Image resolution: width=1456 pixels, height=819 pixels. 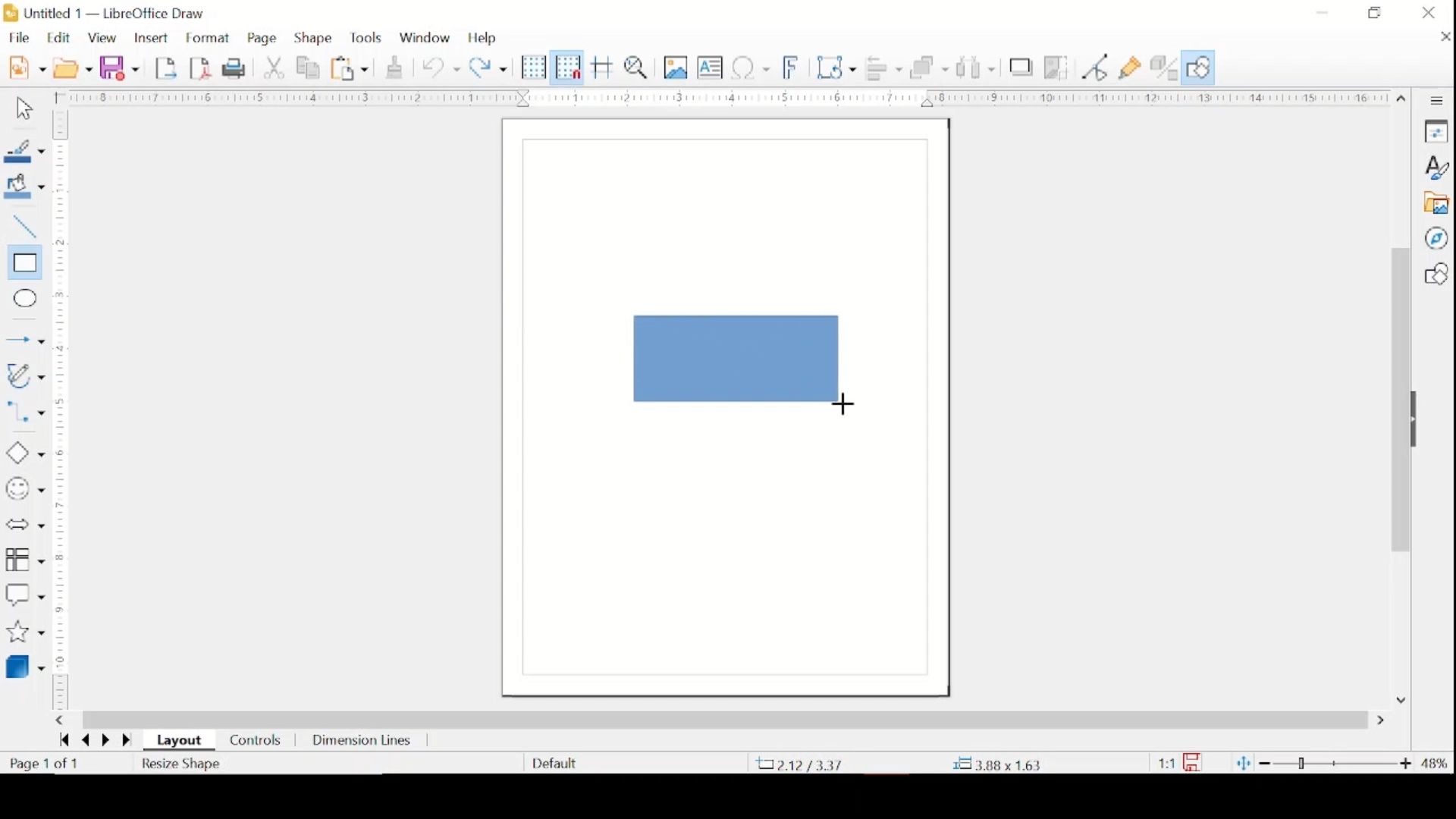 What do you see at coordinates (554, 762) in the screenshot?
I see `default` at bounding box center [554, 762].